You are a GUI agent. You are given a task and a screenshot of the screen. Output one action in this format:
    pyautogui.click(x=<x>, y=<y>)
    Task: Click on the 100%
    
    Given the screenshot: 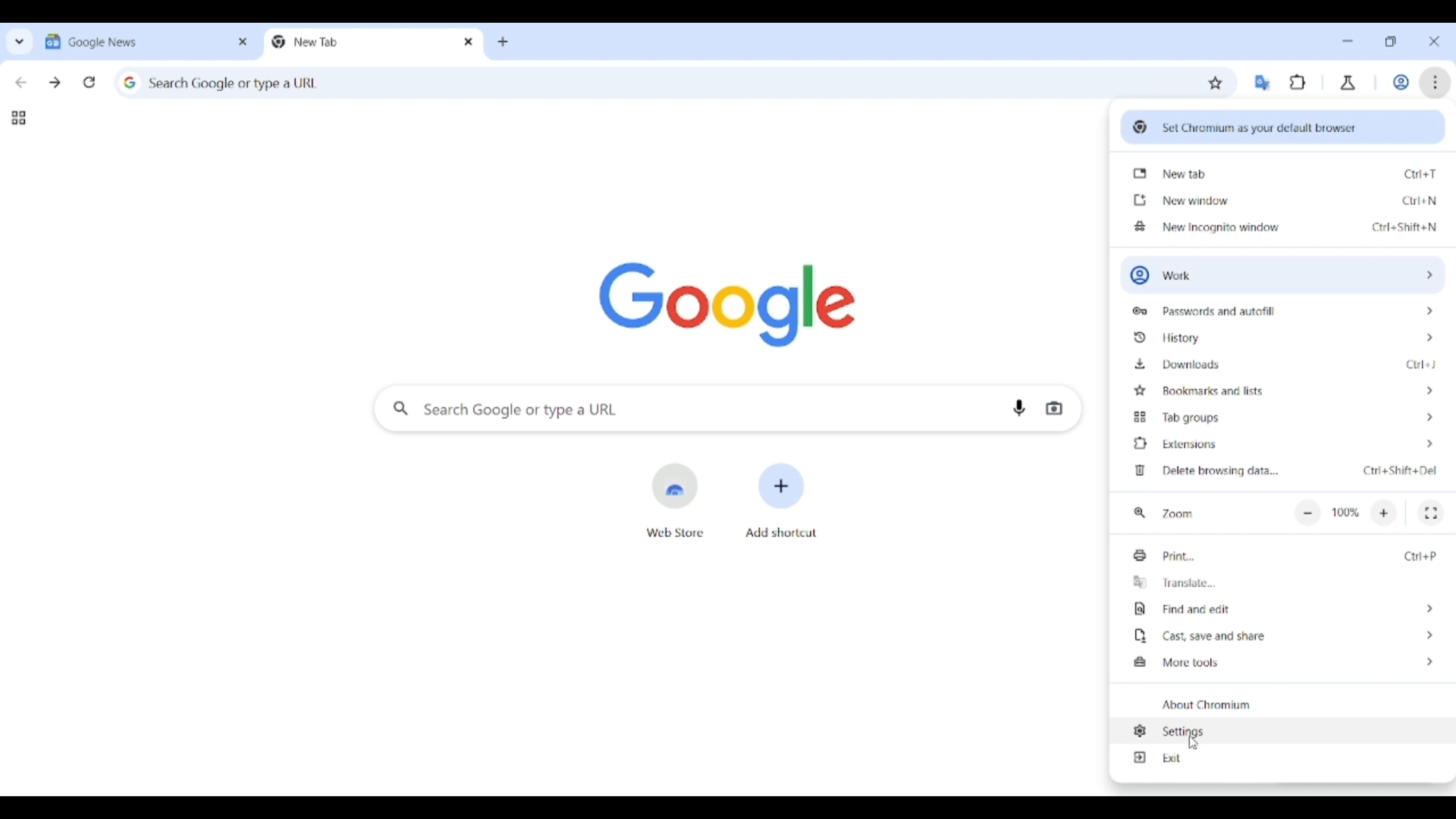 What is the action you would take?
    pyautogui.click(x=1346, y=513)
    